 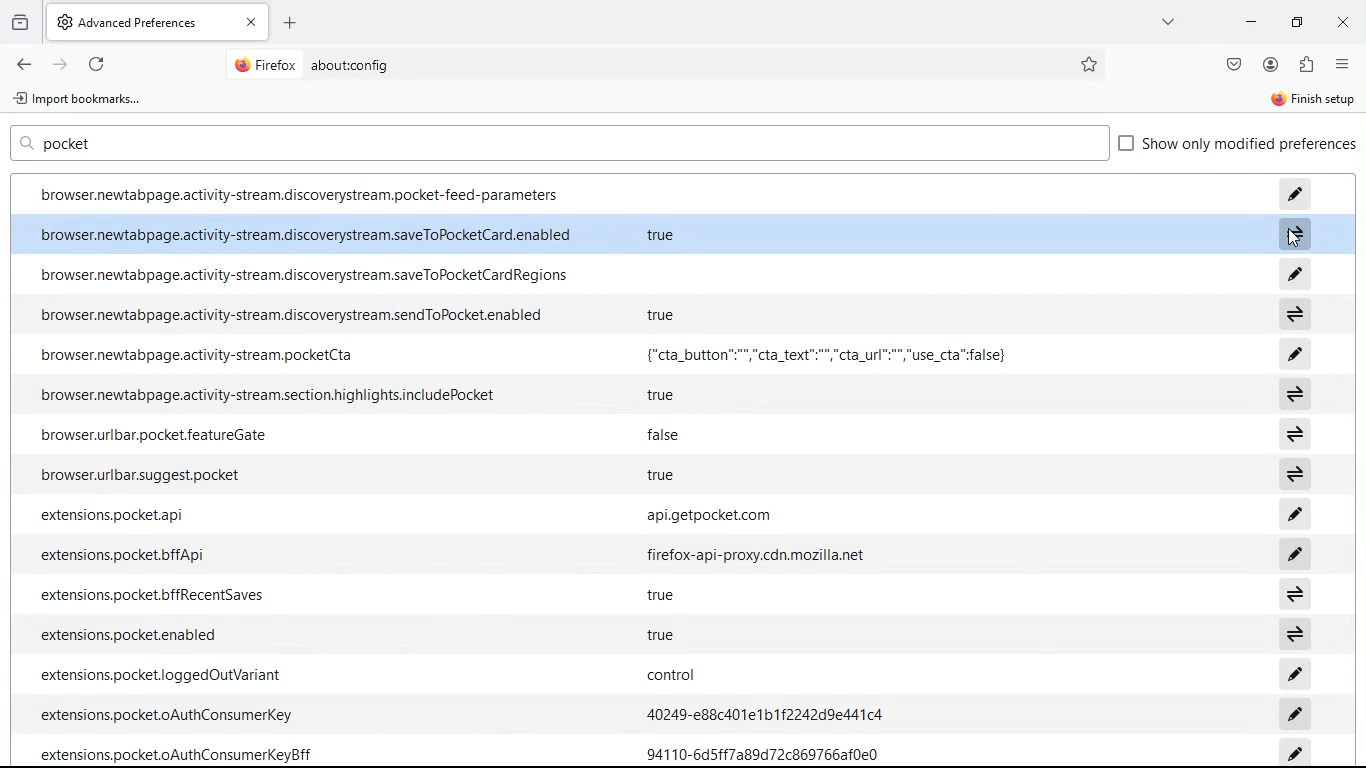 What do you see at coordinates (196, 354) in the screenshot?
I see `browser.newtabpage.activity-stream.pocketCta` at bounding box center [196, 354].